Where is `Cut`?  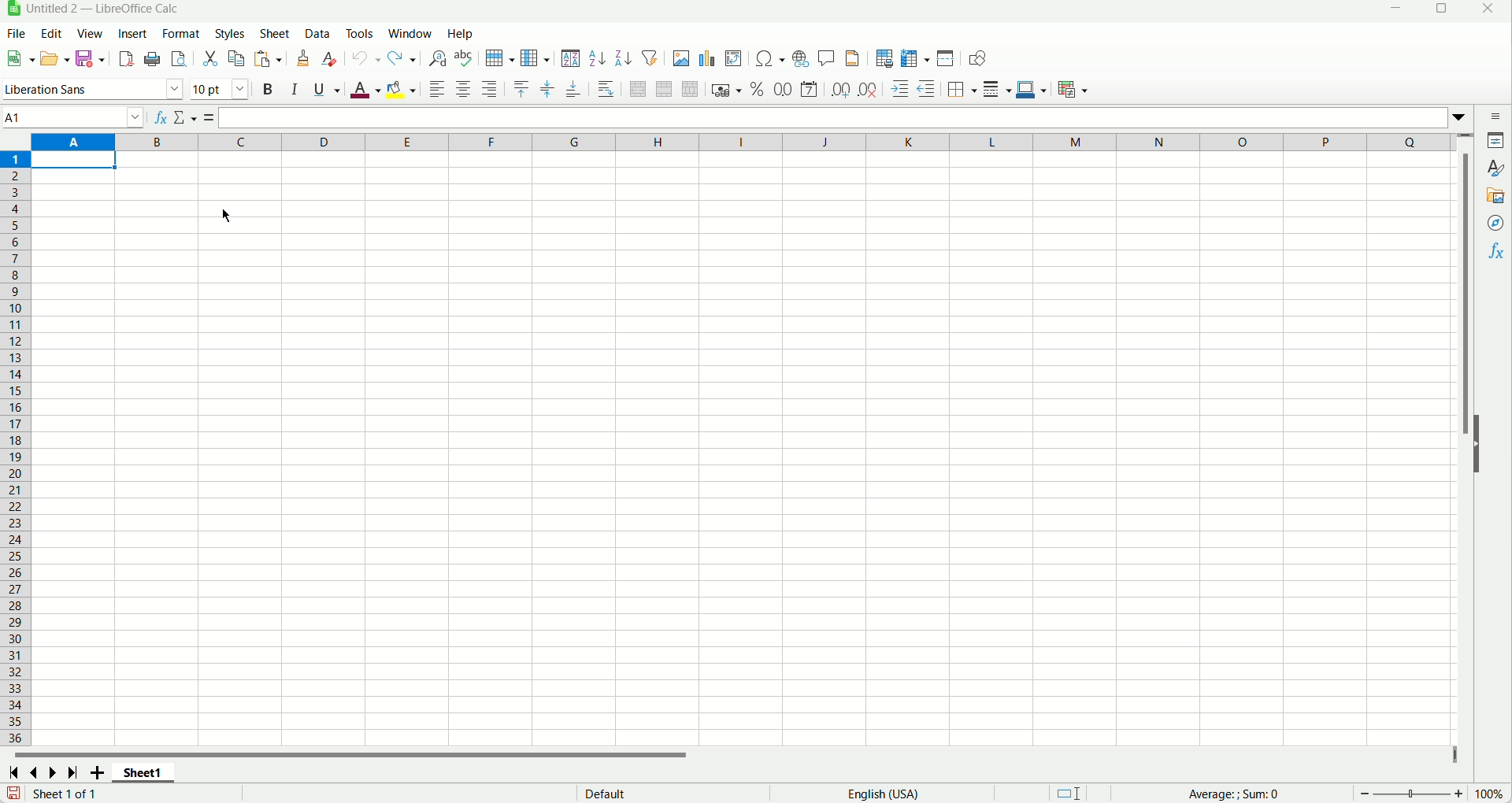 Cut is located at coordinates (211, 60).